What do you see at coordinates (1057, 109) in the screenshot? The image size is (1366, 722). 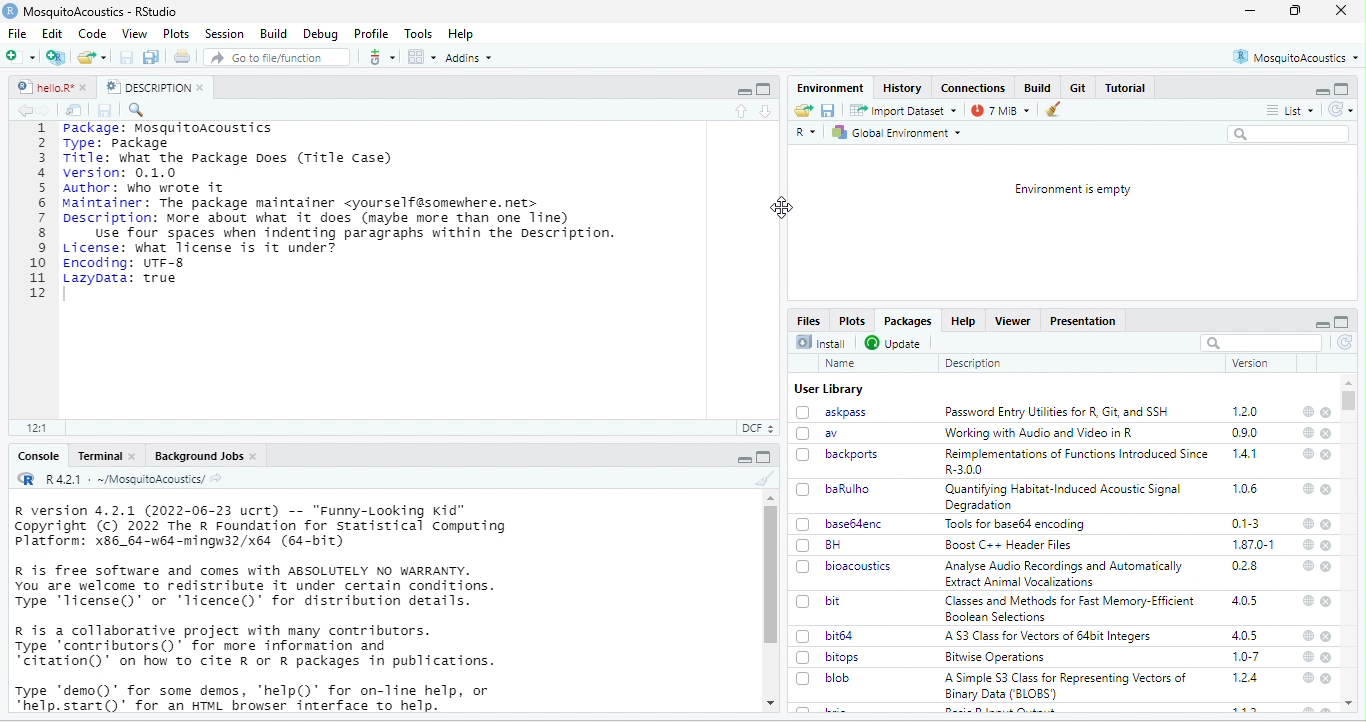 I see `Clear workspace` at bounding box center [1057, 109].